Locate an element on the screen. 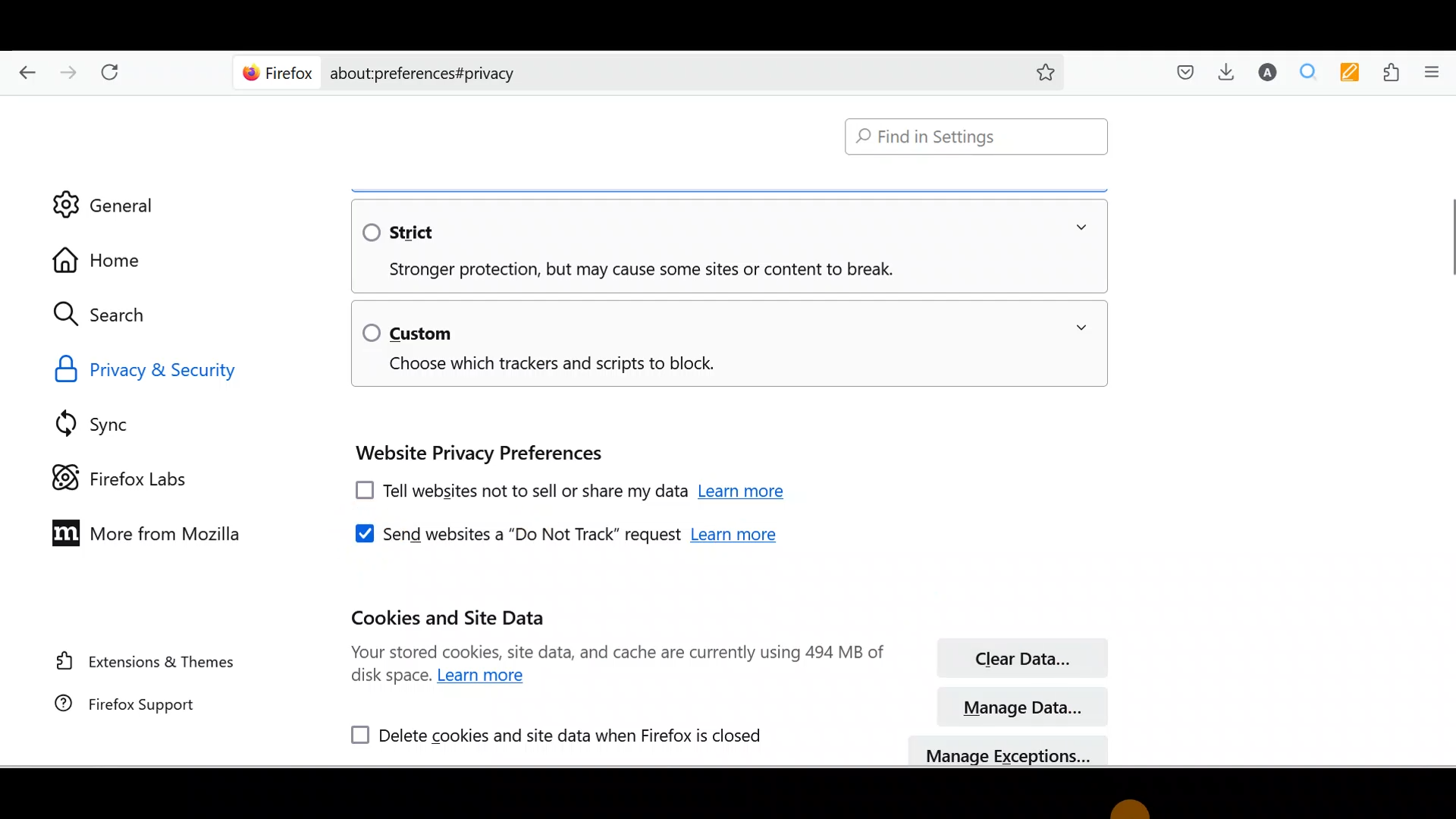 Image resolution: width=1456 pixels, height=819 pixels. vertical scrollbar is located at coordinates (1442, 243).